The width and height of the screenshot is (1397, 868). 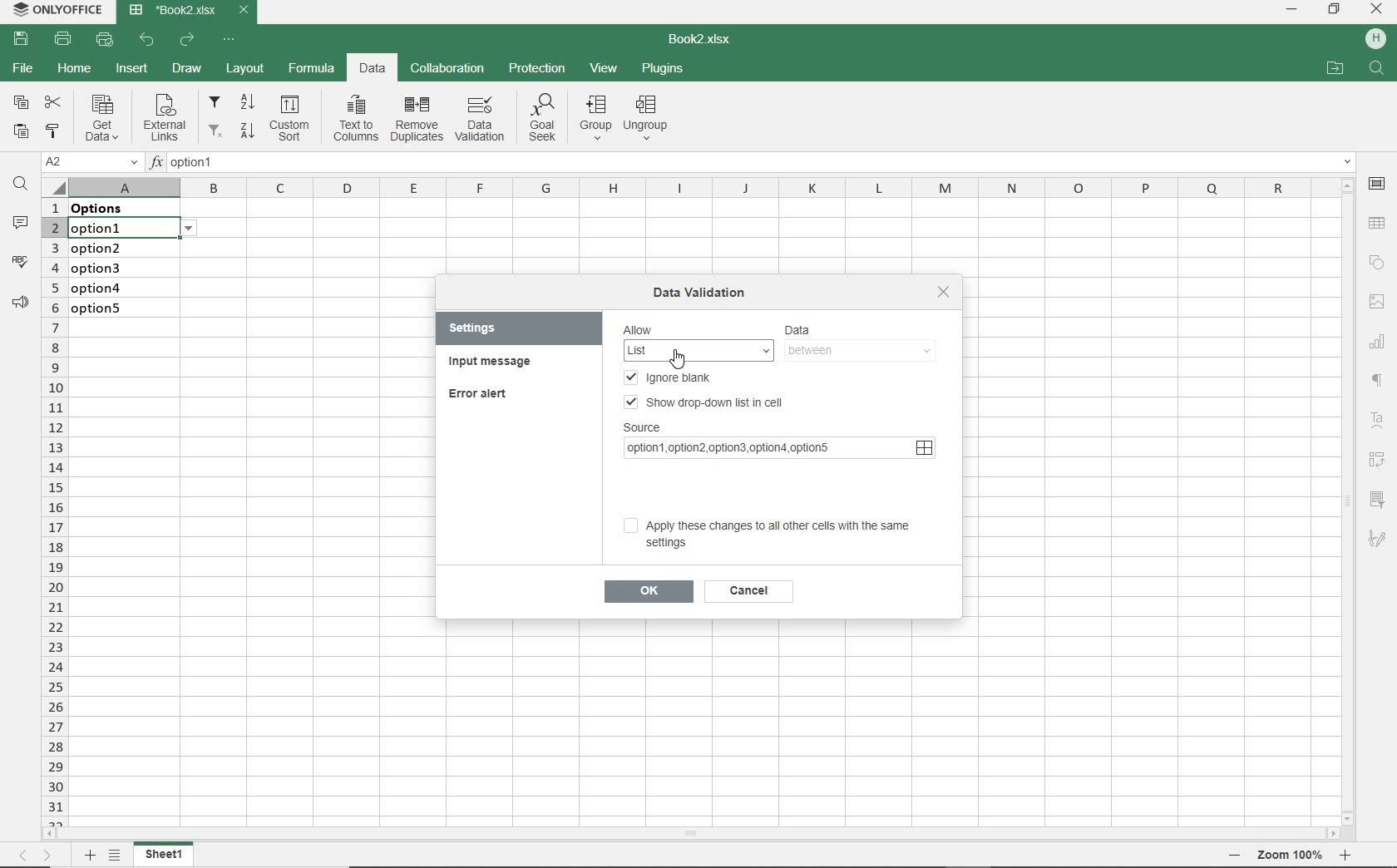 What do you see at coordinates (1378, 8) in the screenshot?
I see `CLOSE` at bounding box center [1378, 8].